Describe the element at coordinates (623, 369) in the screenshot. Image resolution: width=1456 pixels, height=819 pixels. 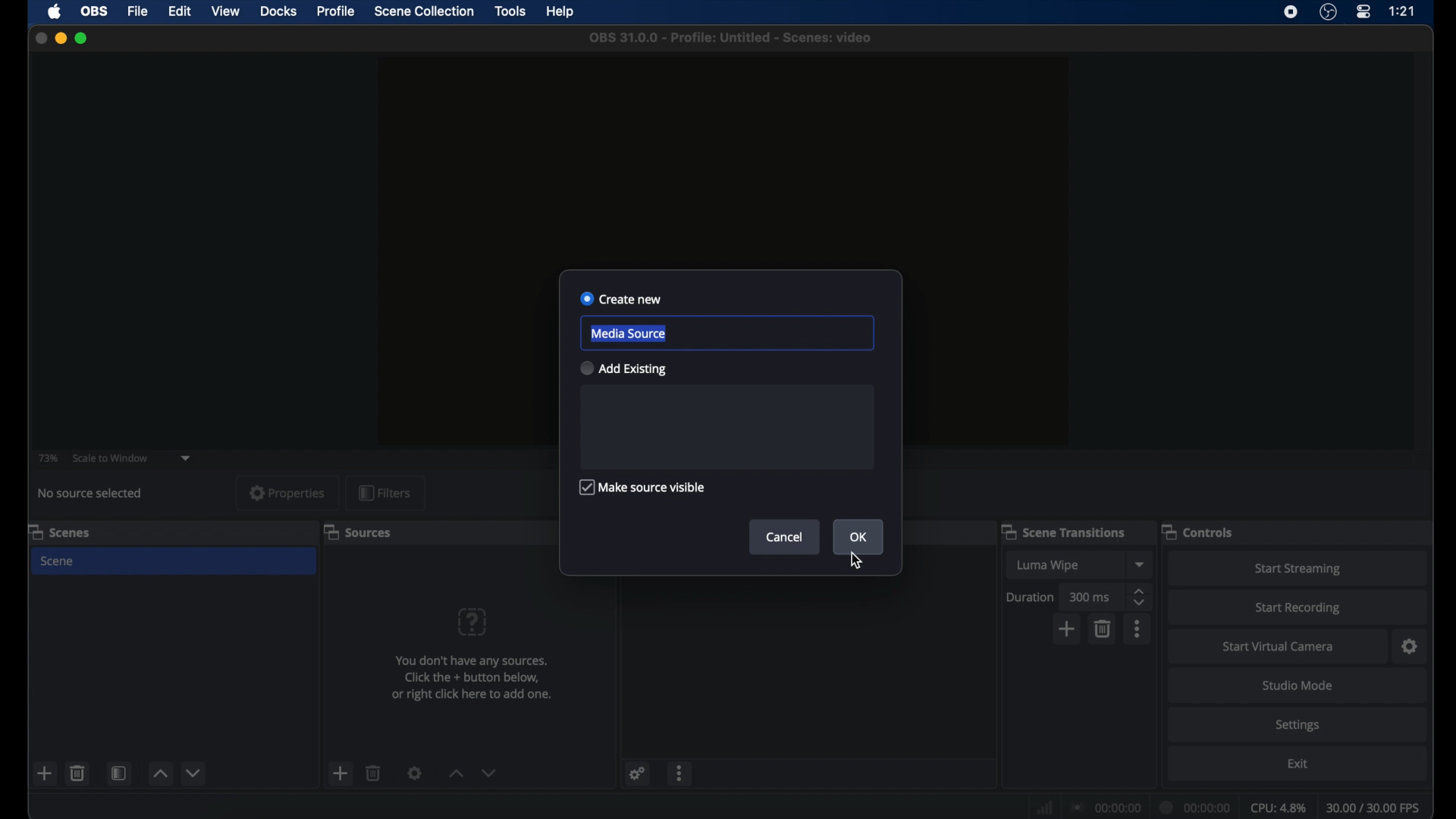
I see `add existing` at that location.